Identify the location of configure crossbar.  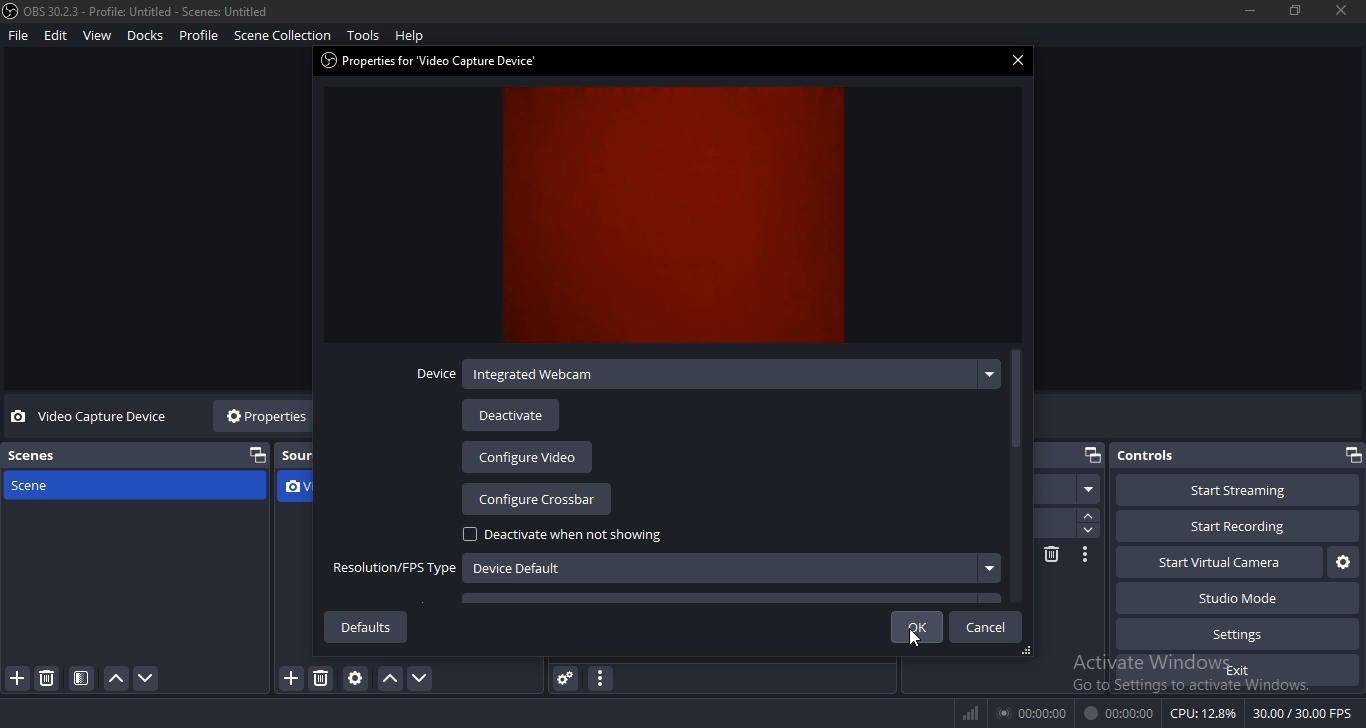
(538, 499).